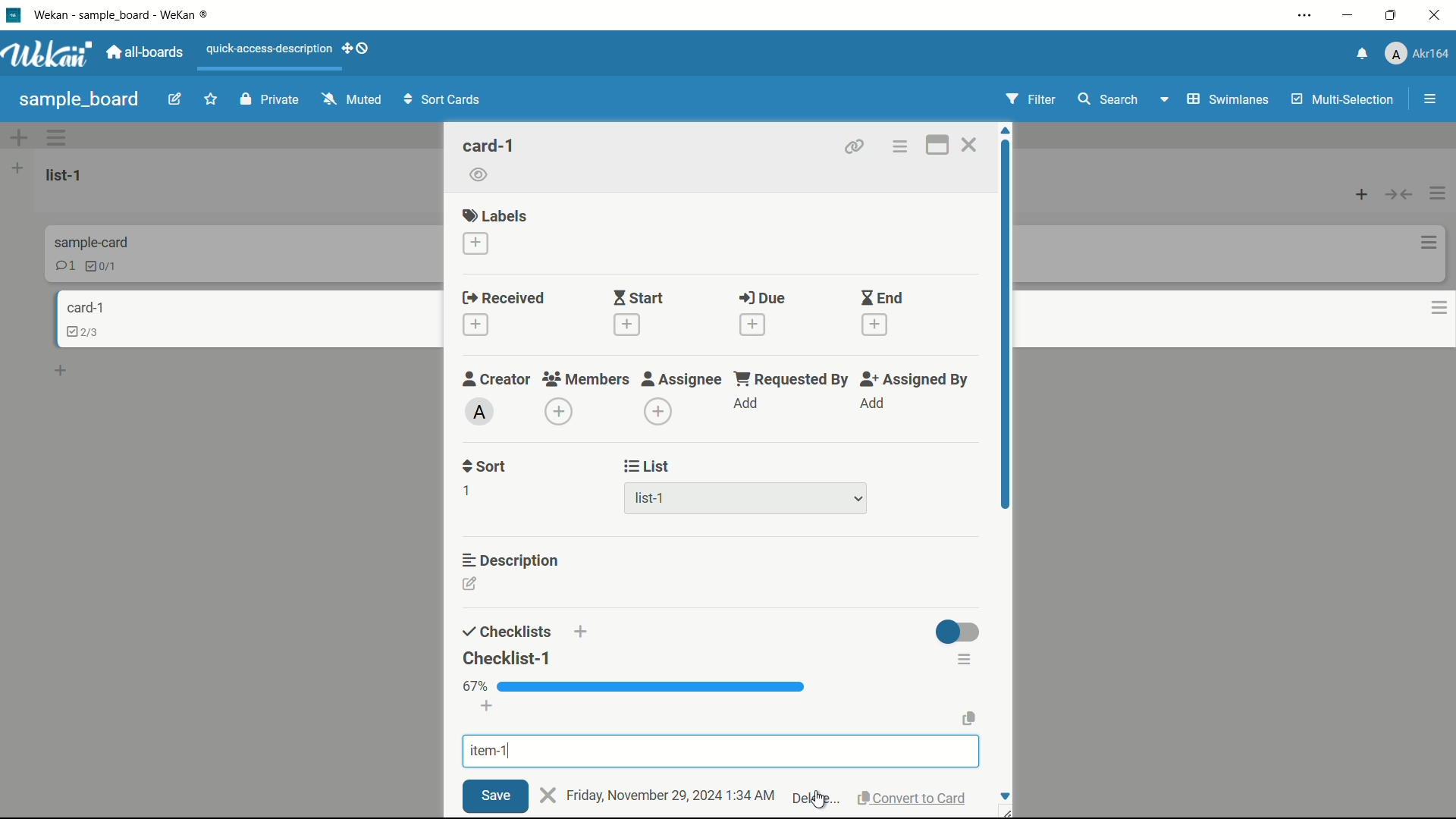  I want to click on sort, so click(484, 467).